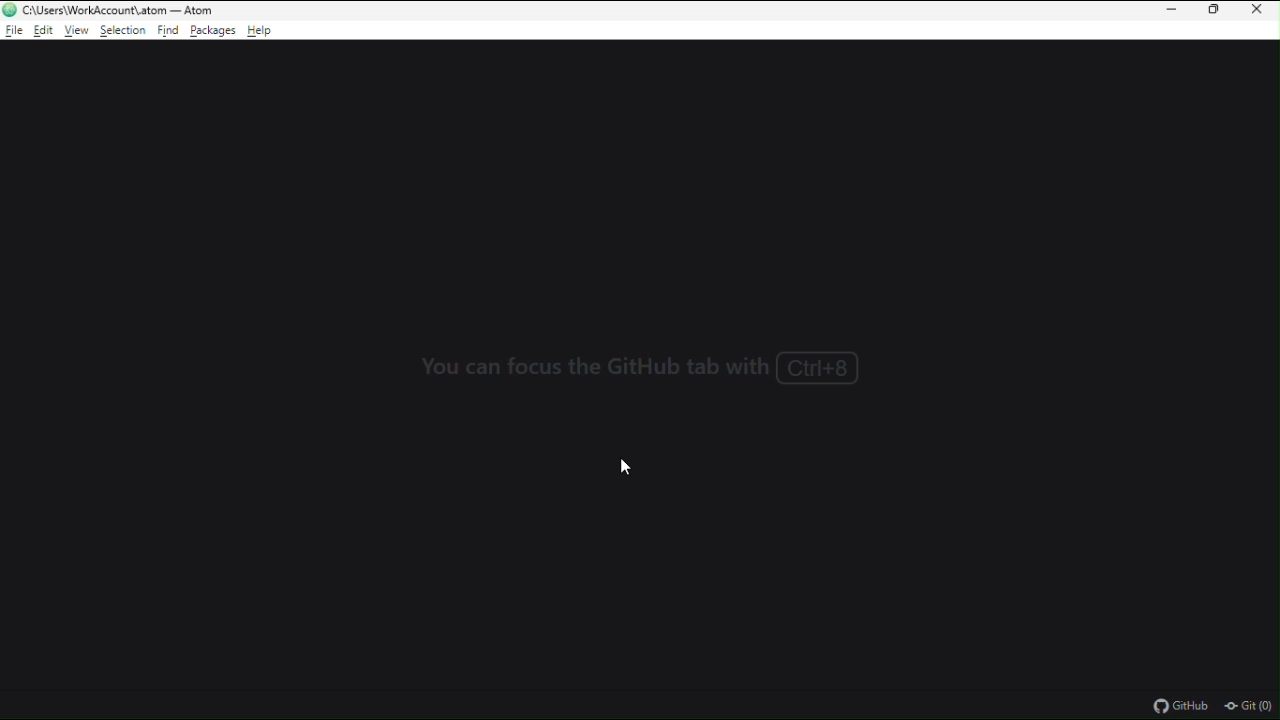 The image size is (1280, 720). What do you see at coordinates (1168, 11) in the screenshot?
I see `Minimize` at bounding box center [1168, 11].